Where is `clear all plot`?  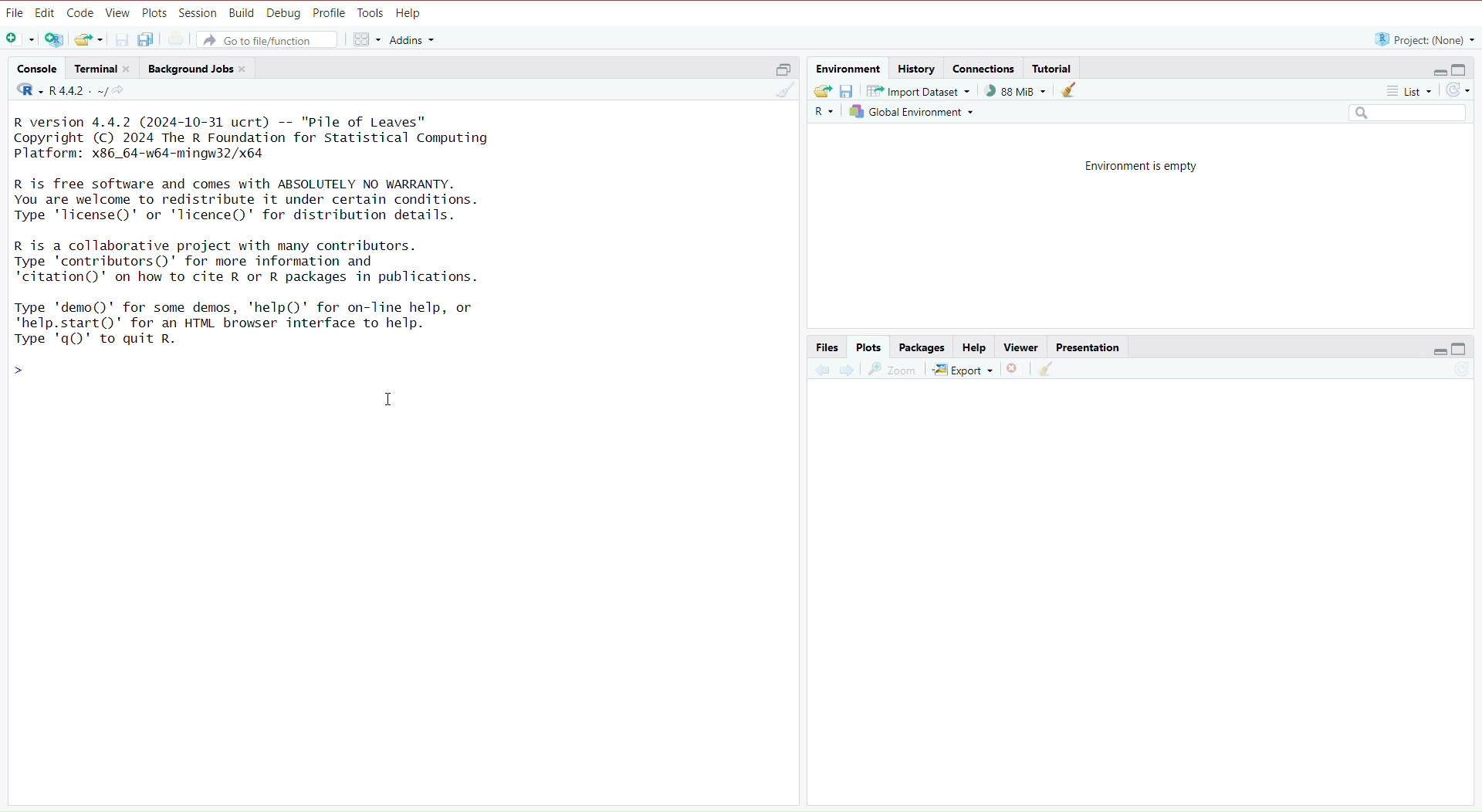 clear all plot is located at coordinates (1048, 370).